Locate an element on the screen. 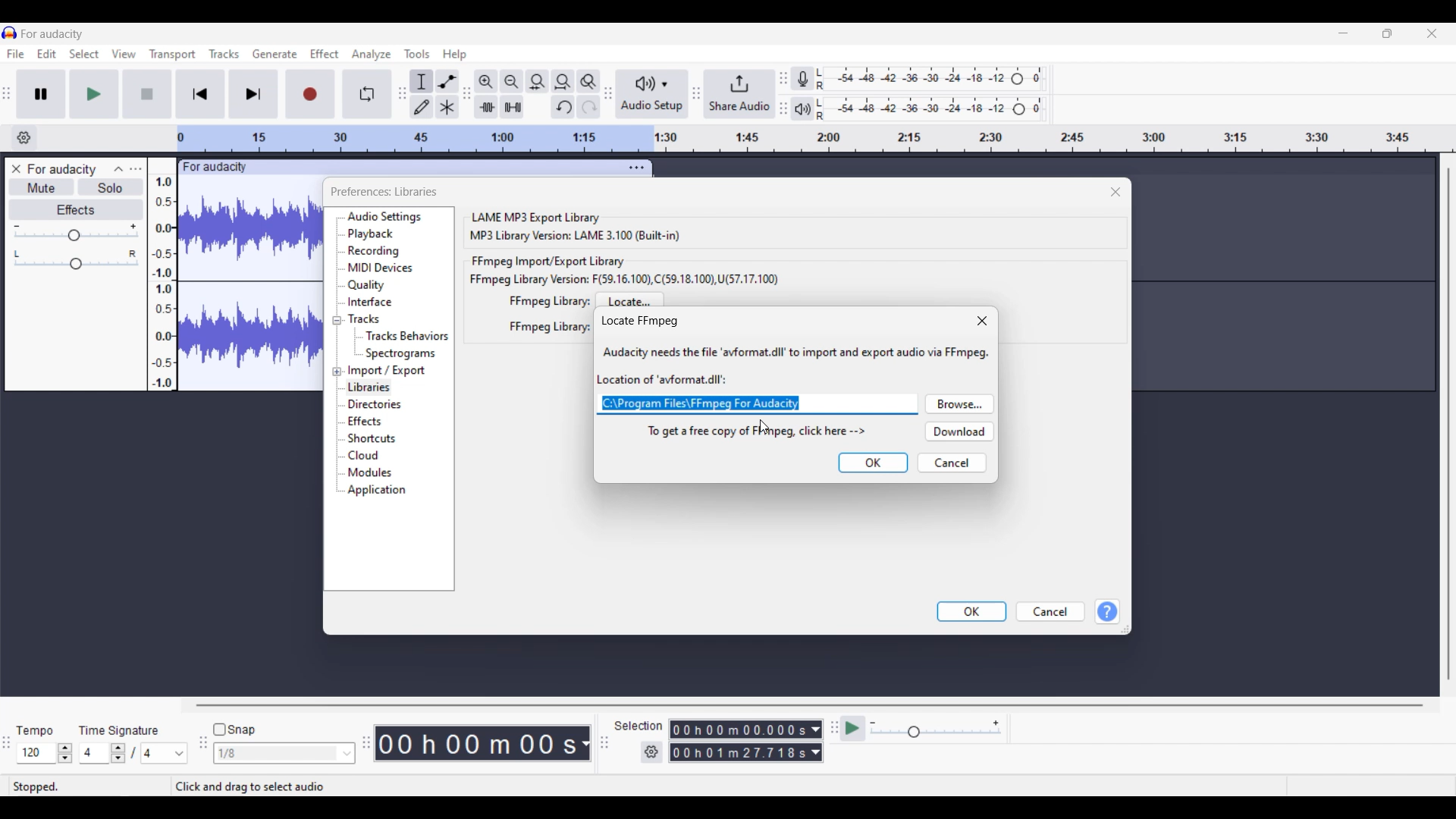  Trim audio outside selection is located at coordinates (486, 107).